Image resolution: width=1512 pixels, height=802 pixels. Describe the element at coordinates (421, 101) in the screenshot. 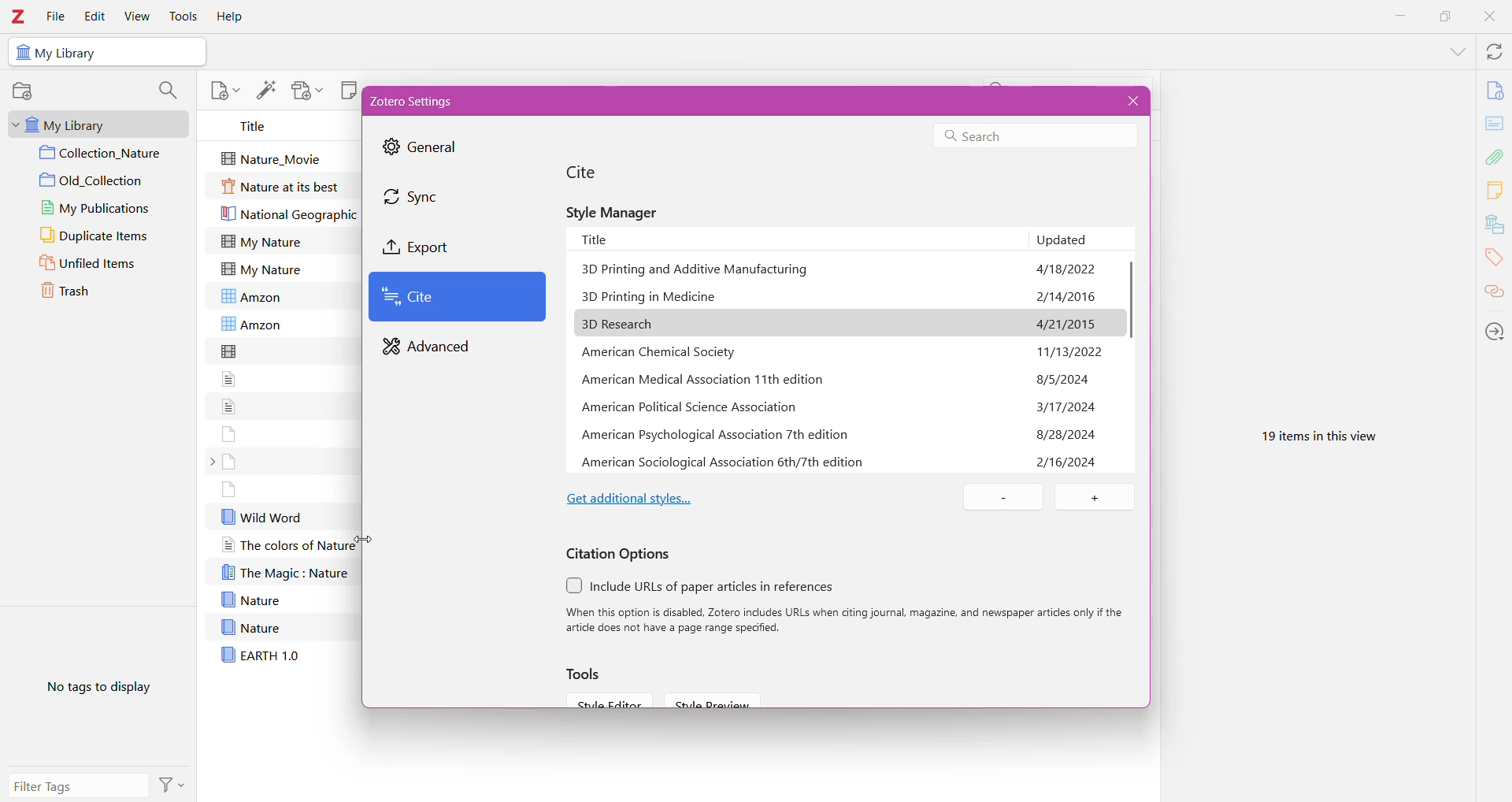

I see `Zotero Settings` at that location.